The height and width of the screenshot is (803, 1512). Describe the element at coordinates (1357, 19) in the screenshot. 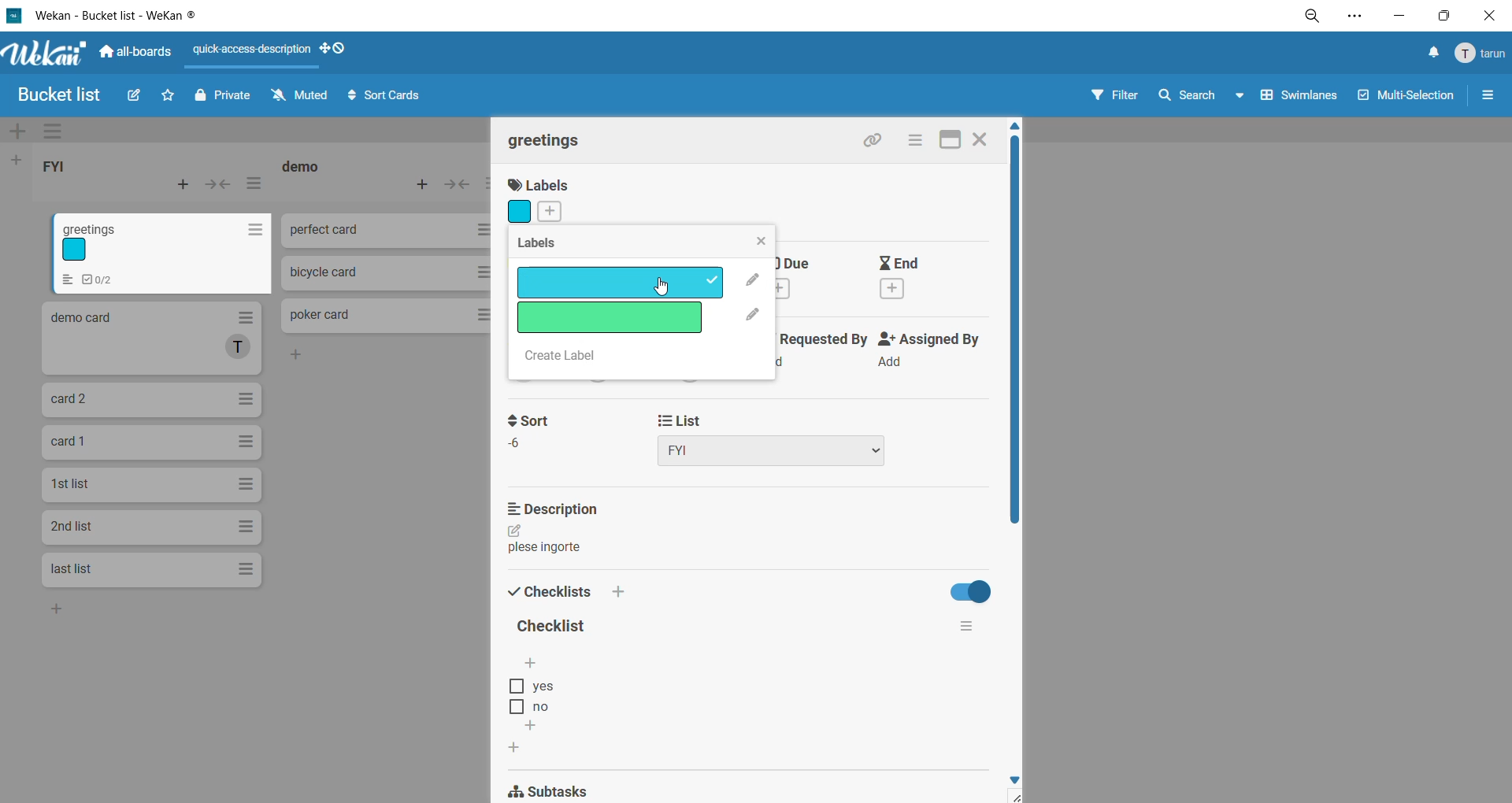

I see `settings` at that location.